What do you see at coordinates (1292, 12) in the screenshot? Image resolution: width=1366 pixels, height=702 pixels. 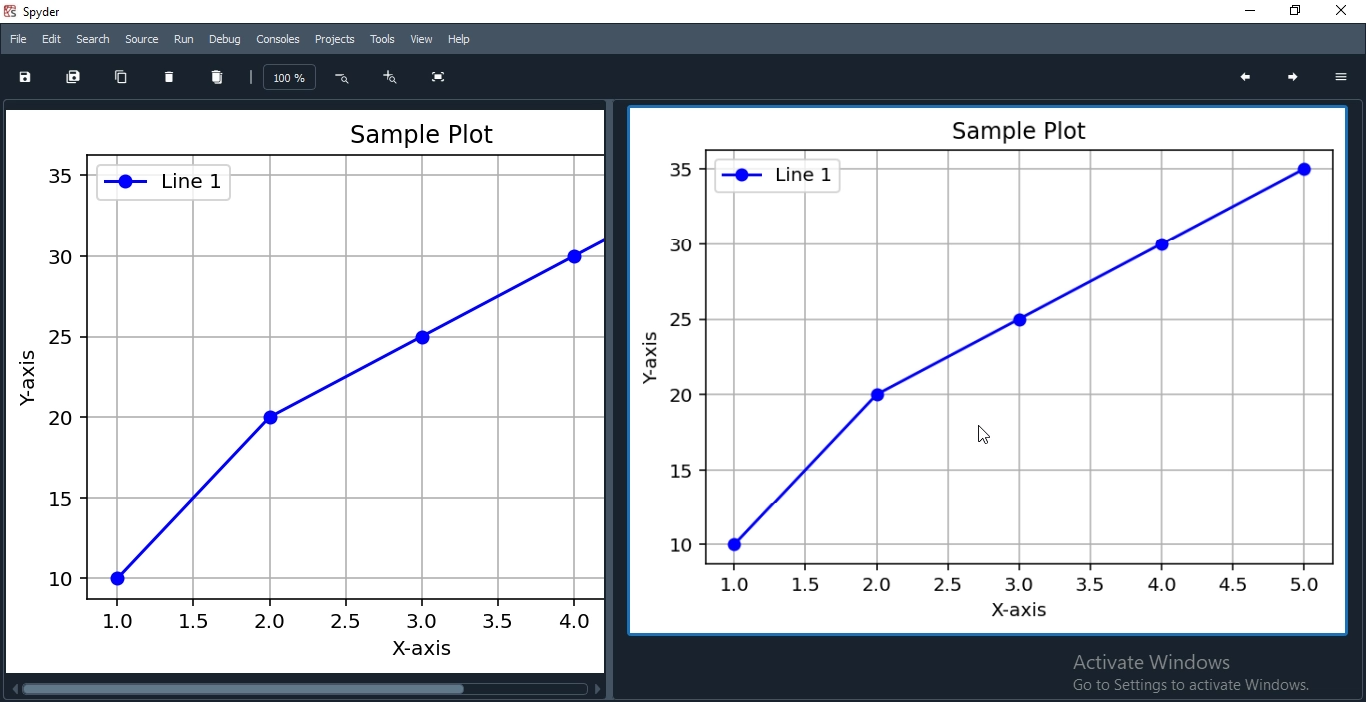 I see `Restore` at bounding box center [1292, 12].